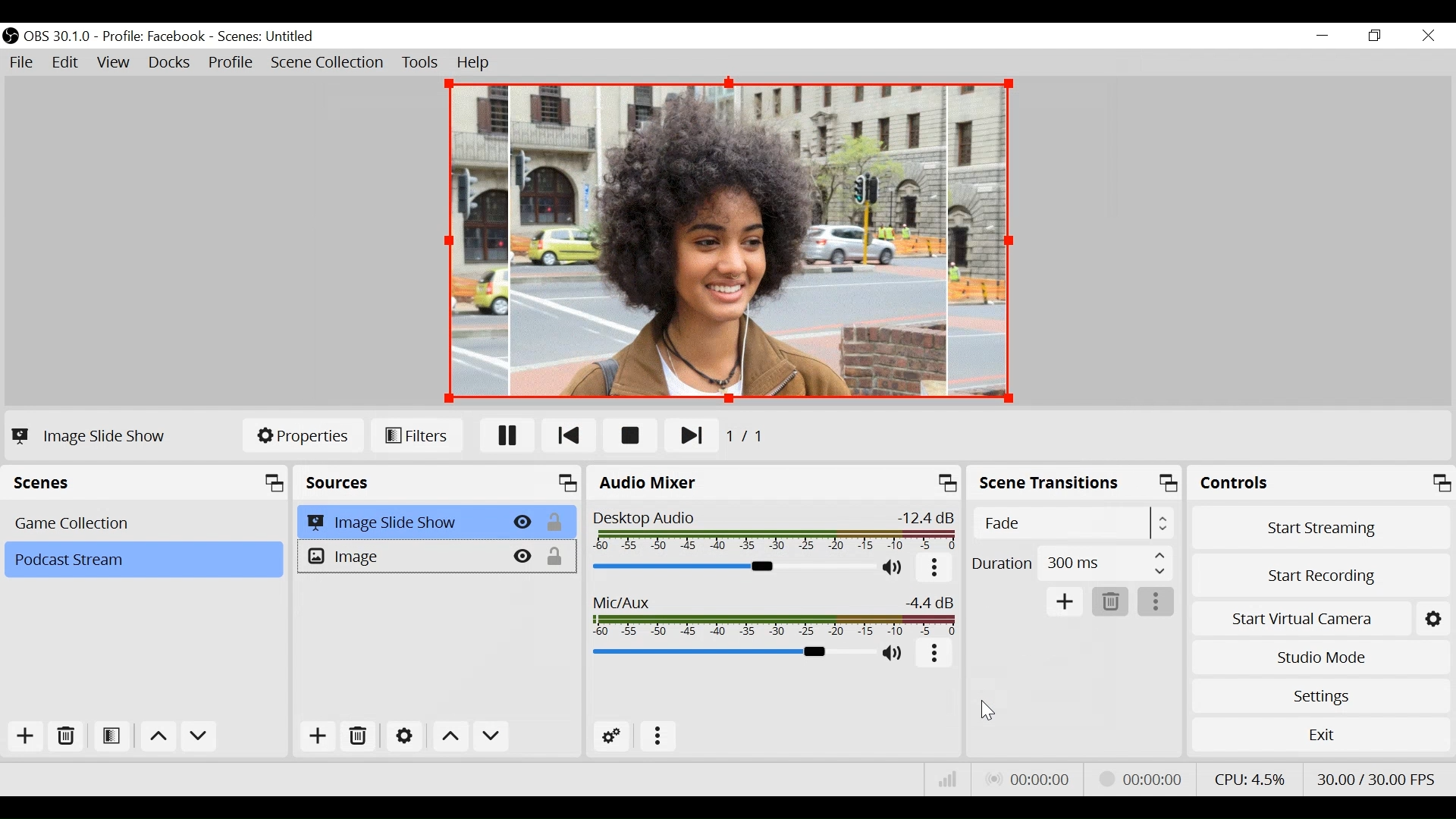  I want to click on Hide/Display, so click(522, 522).